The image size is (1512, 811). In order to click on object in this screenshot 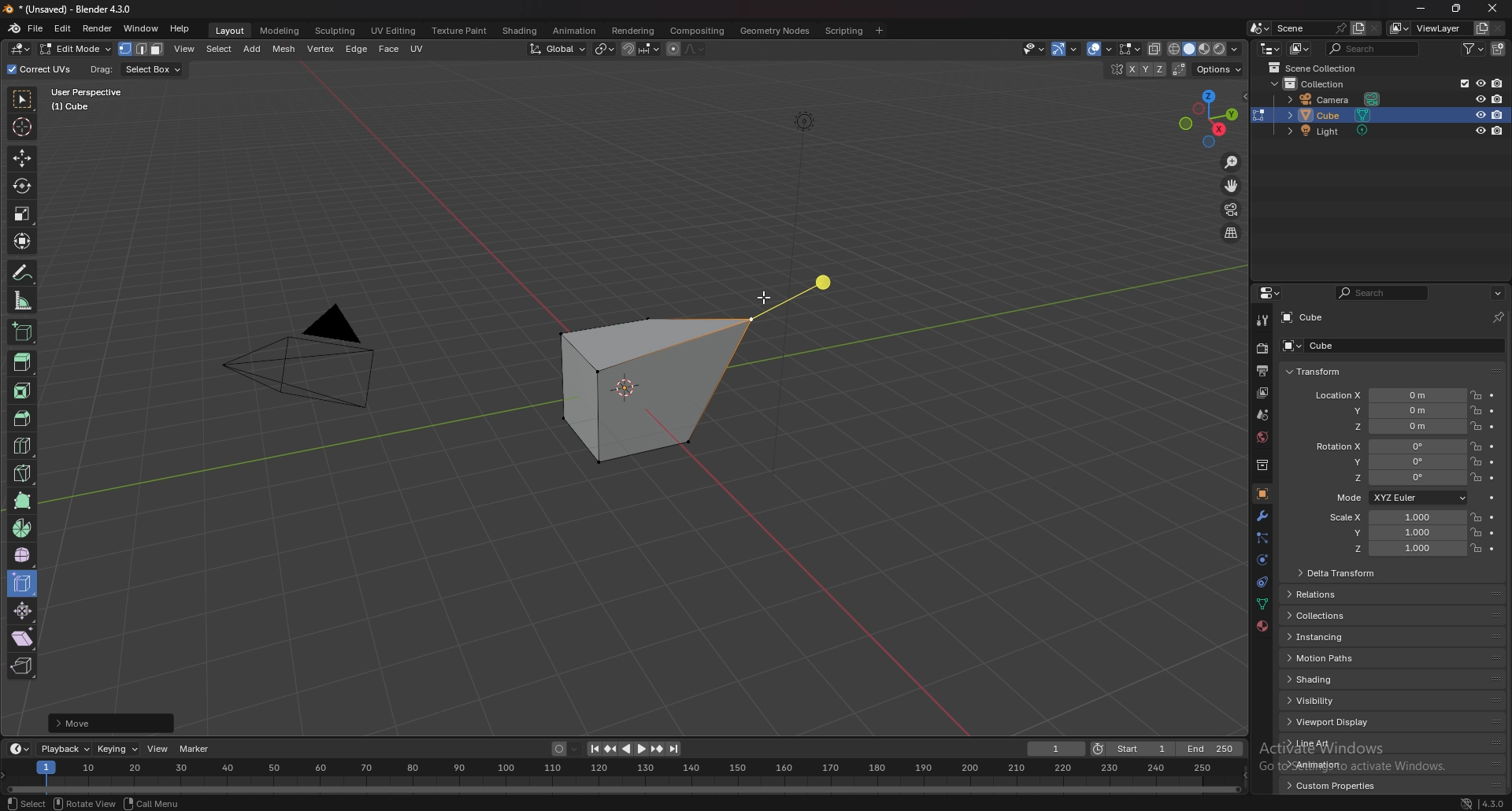, I will do `click(1262, 494)`.